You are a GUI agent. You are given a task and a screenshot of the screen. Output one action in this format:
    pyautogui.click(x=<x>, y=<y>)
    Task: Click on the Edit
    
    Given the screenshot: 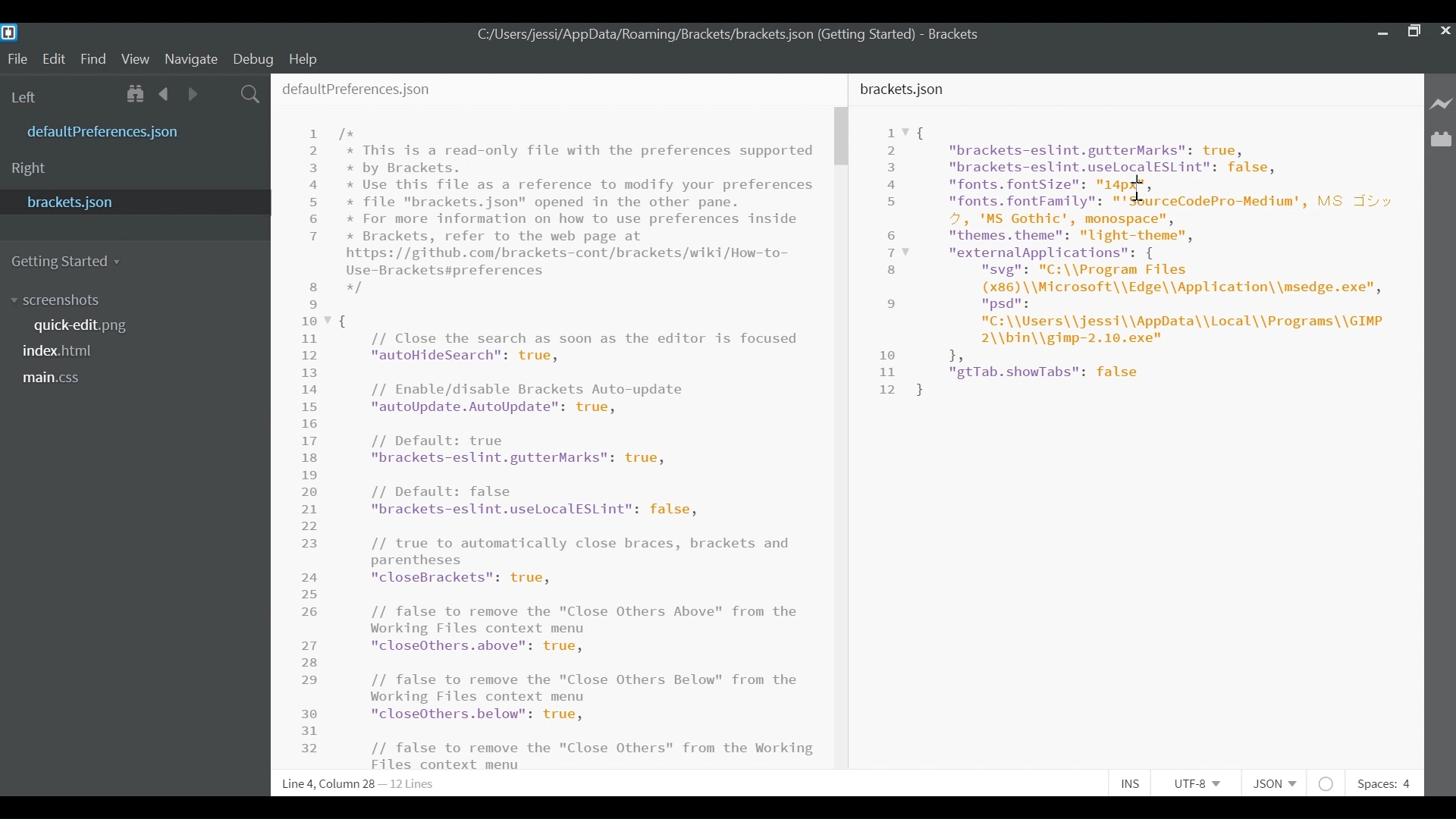 What is the action you would take?
    pyautogui.click(x=56, y=59)
    